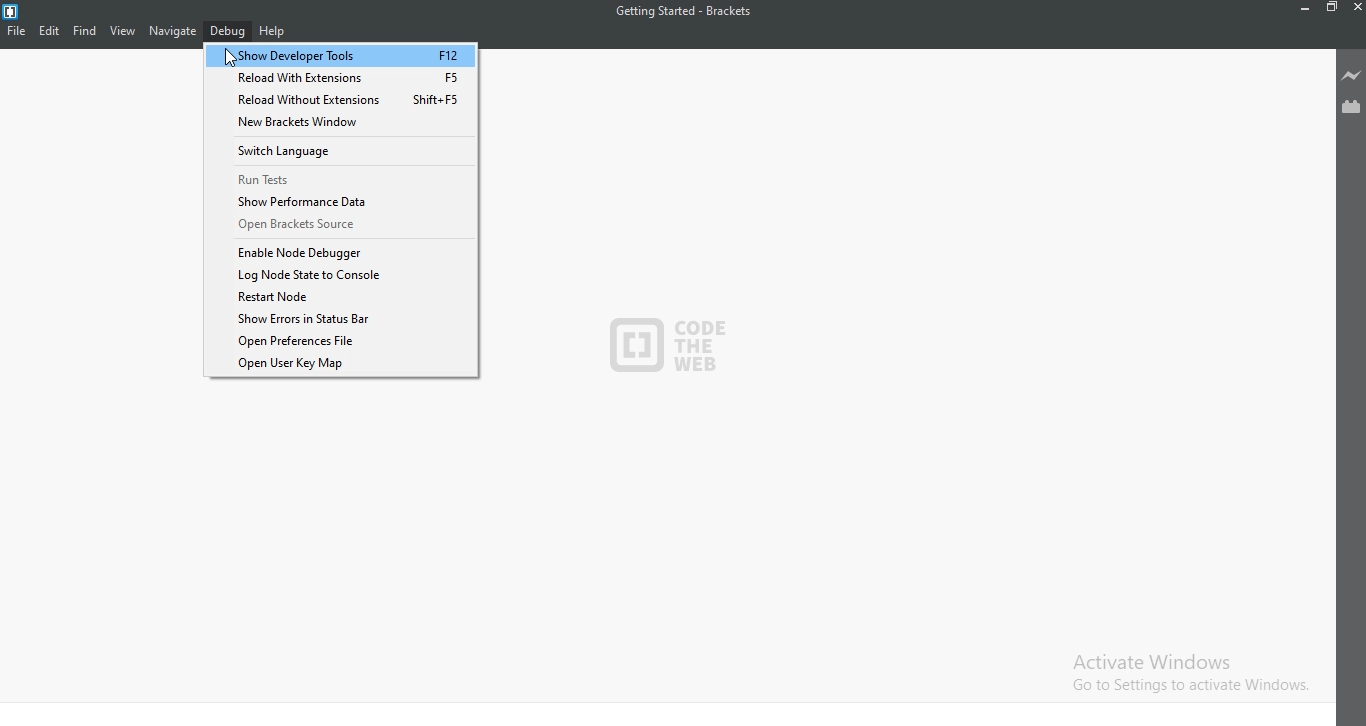  What do you see at coordinates (86, 31) in the screenshot?
I see `Find` at bounding box center [86, 31].